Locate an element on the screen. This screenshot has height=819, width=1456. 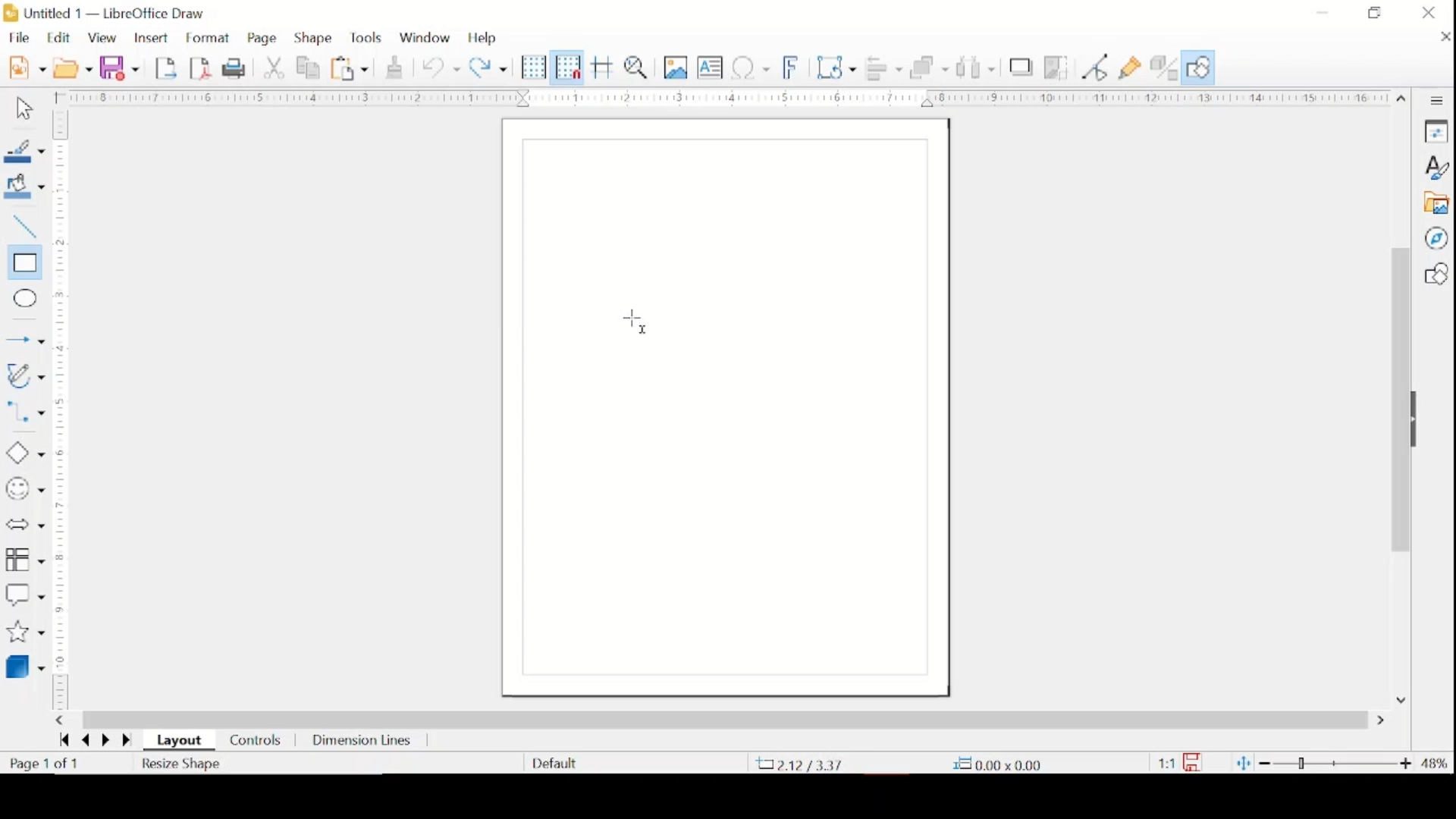
arrange is located at coordinates (930, 67).